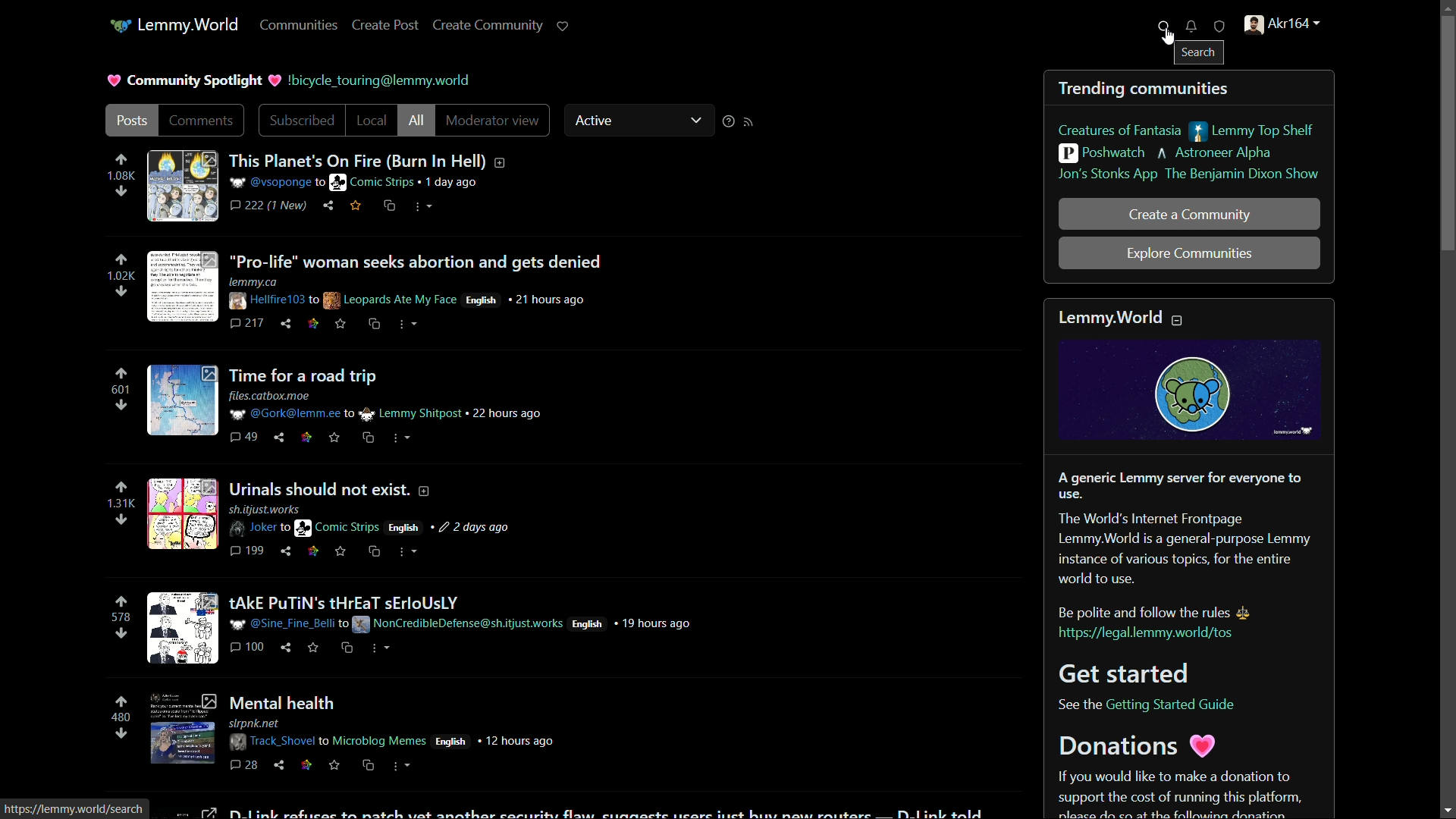  I want to click on poshwatch, so click(1103, 152).